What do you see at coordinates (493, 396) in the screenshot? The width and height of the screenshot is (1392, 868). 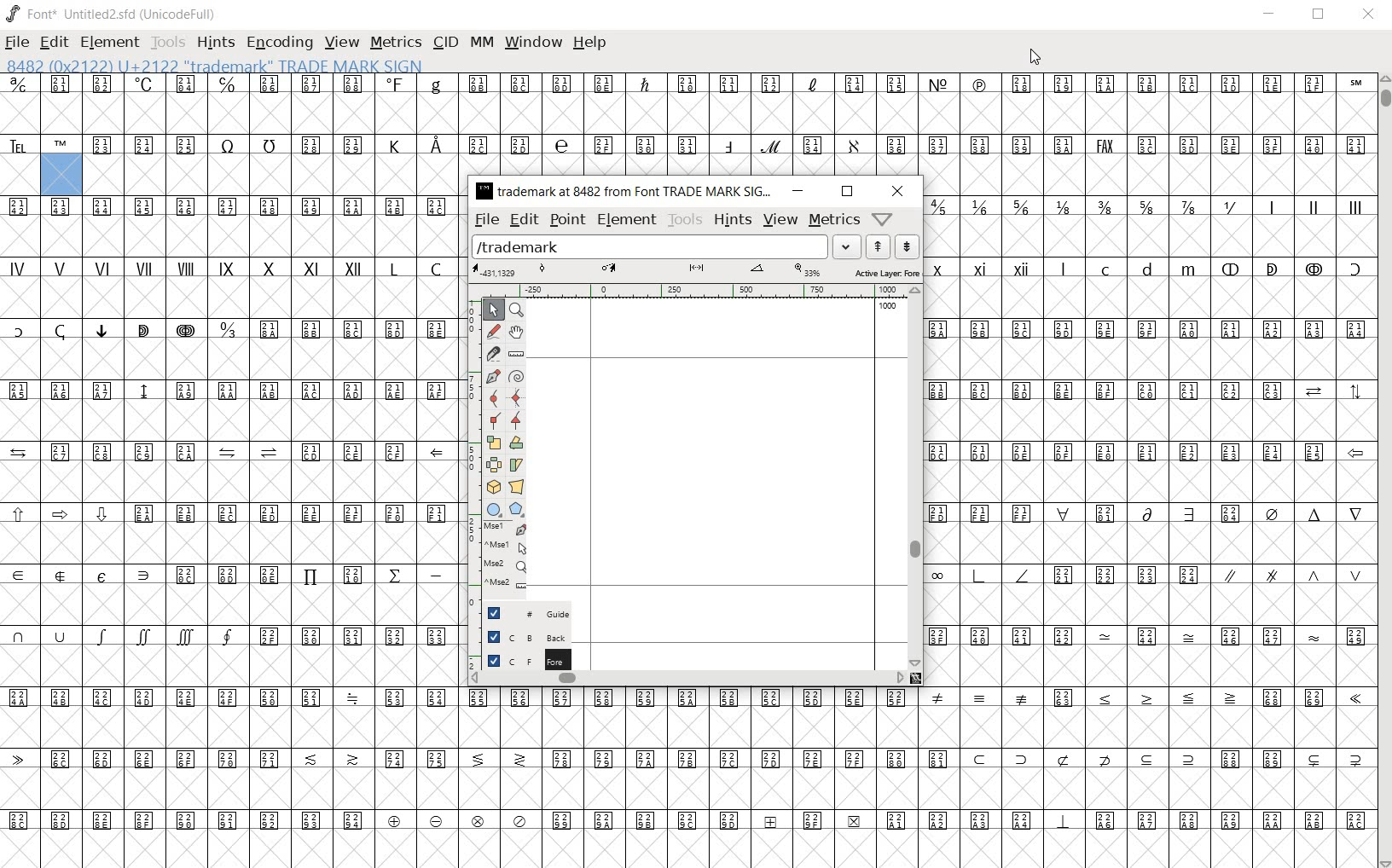 I see `add a curve point` at bounding box center [493, 396].